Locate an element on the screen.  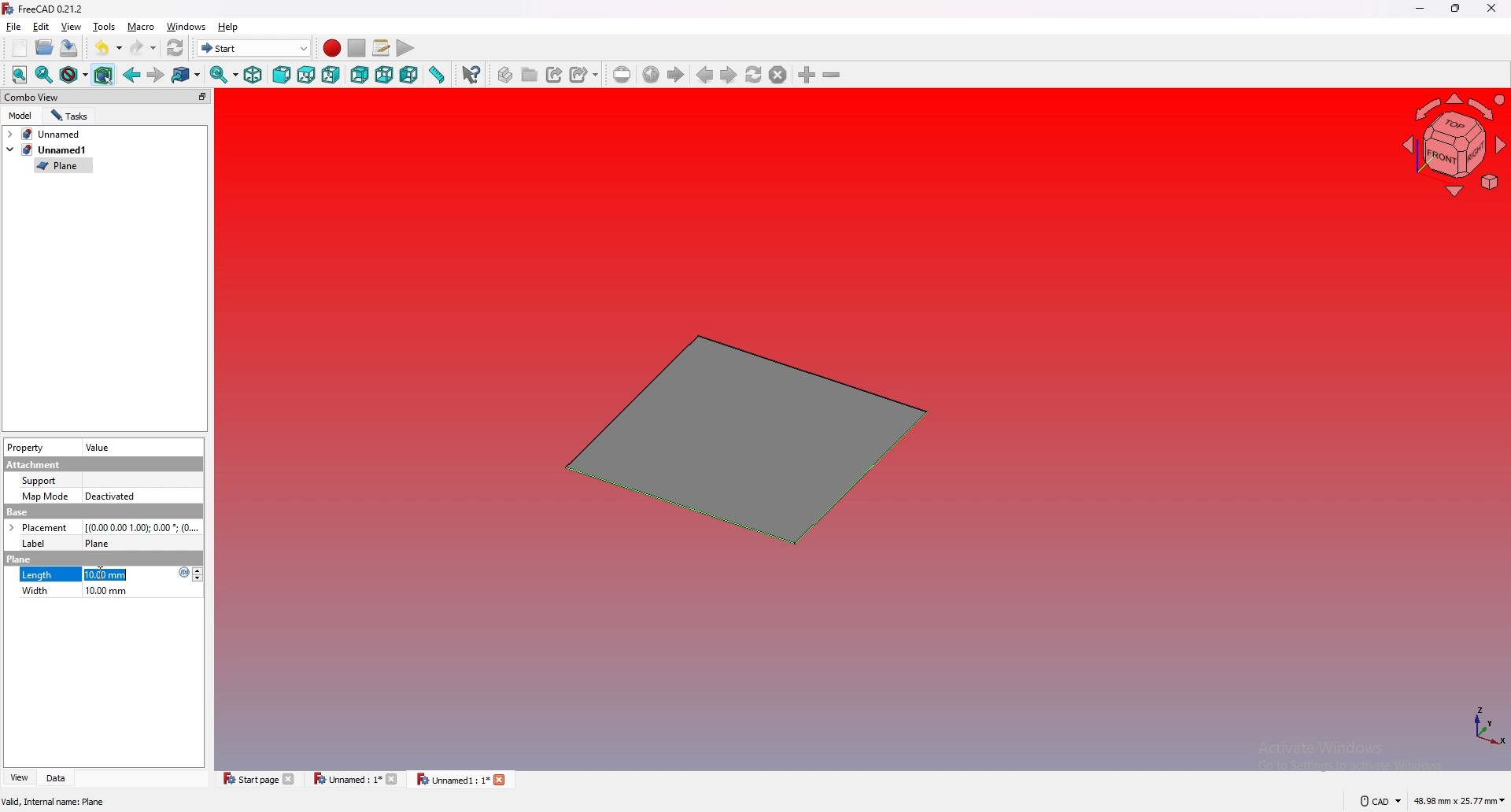
record macros is located at coordinates (332, 49).